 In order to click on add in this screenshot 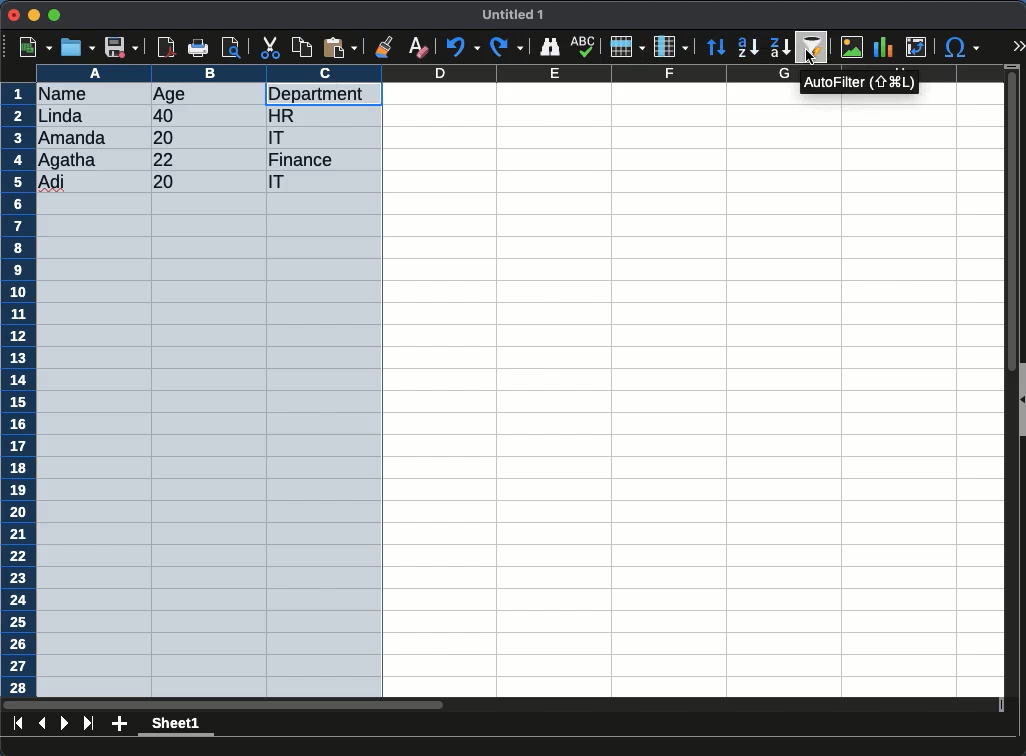, I will do `click(119, 725)`.